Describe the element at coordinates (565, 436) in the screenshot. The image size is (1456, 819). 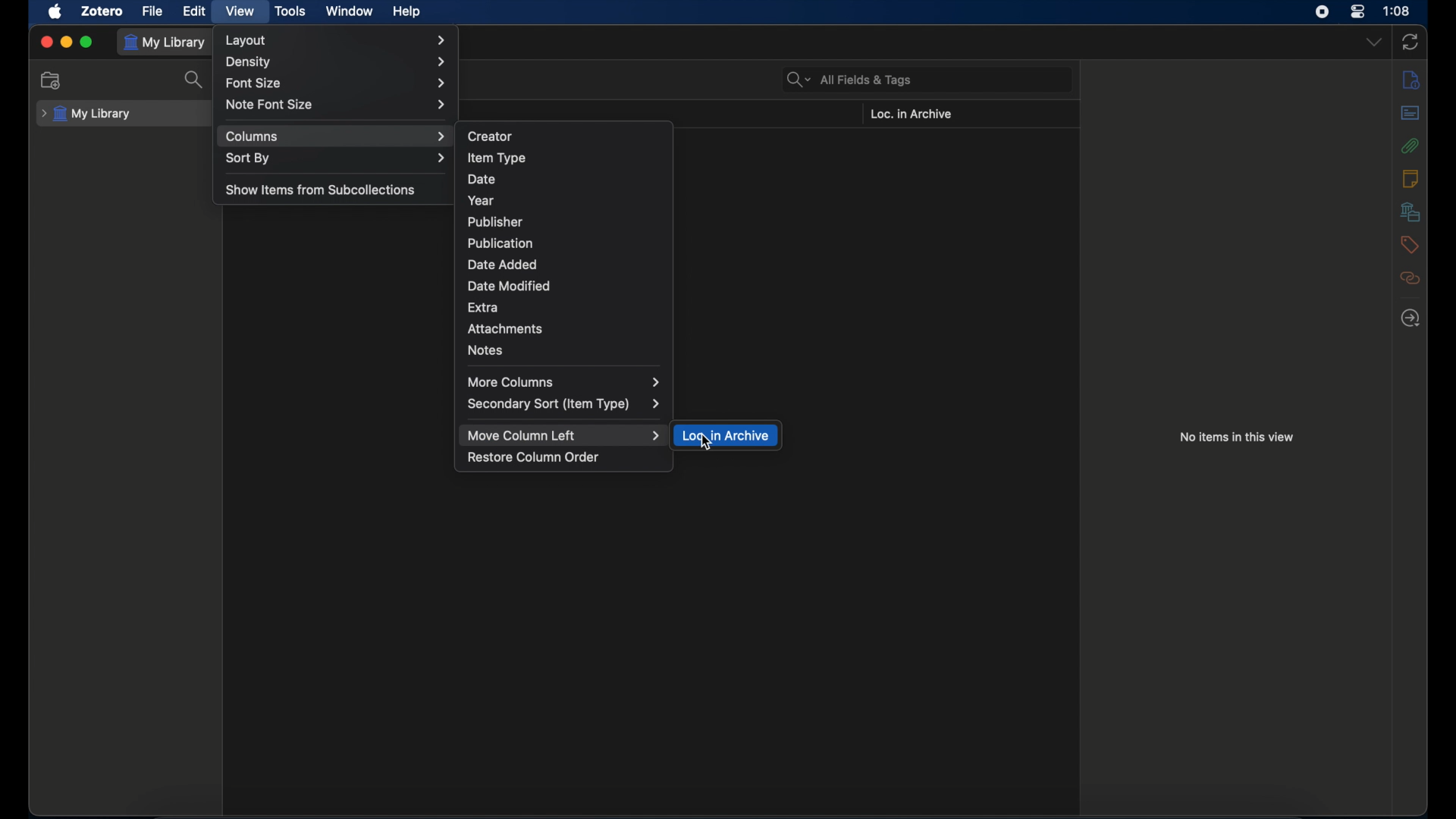
I see `move column left` at that location.